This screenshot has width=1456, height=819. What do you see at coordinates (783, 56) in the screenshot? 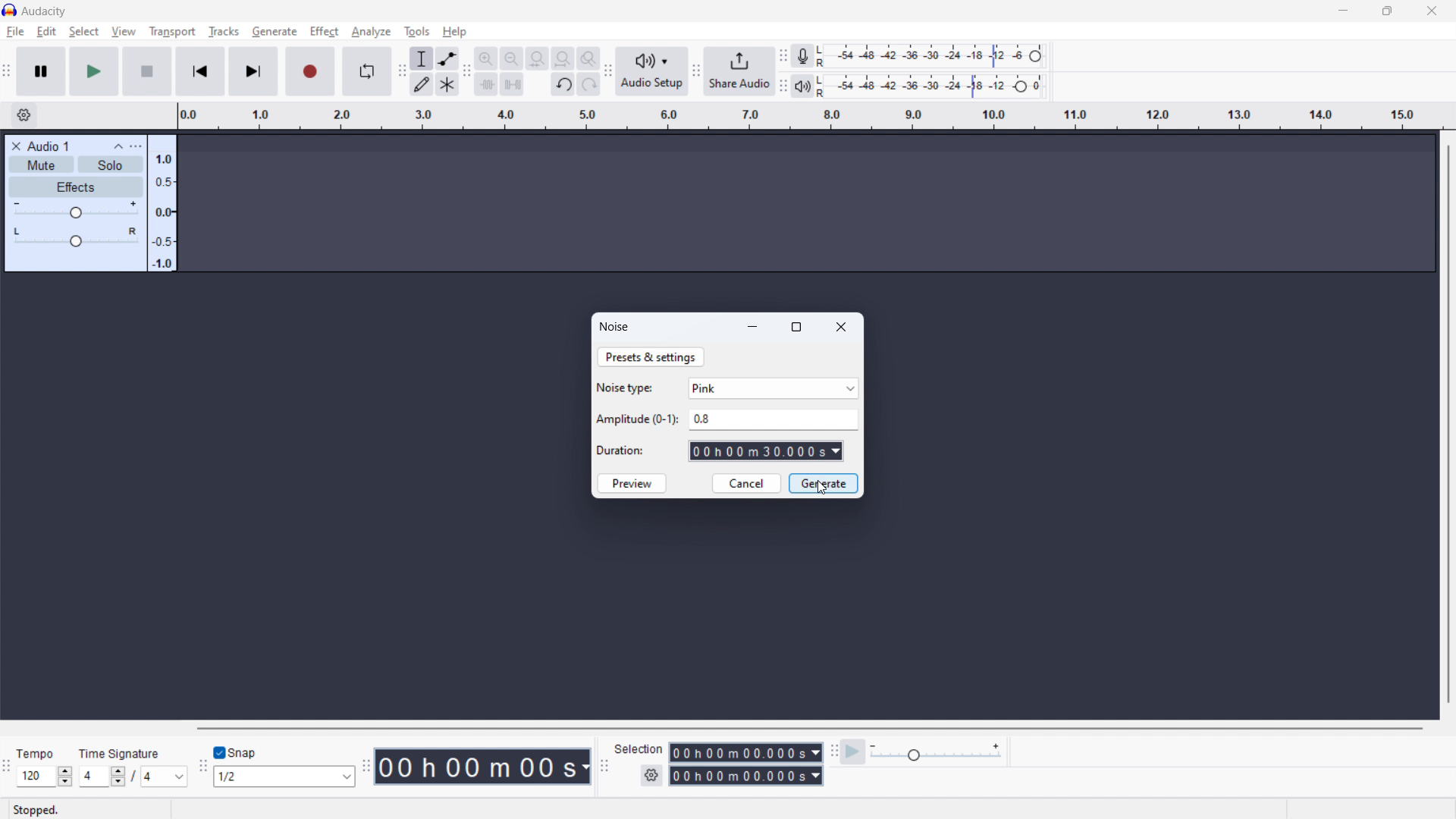
I see `recording meter toolbar` at bounding box center [783, 56].